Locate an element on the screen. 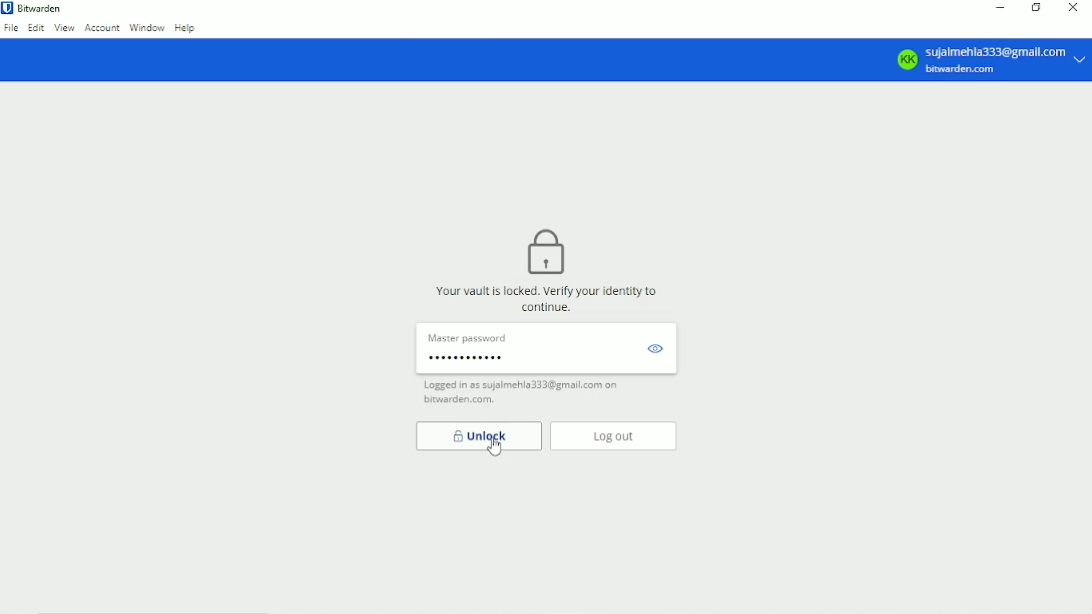  Window is located at coordinates (147, 28).